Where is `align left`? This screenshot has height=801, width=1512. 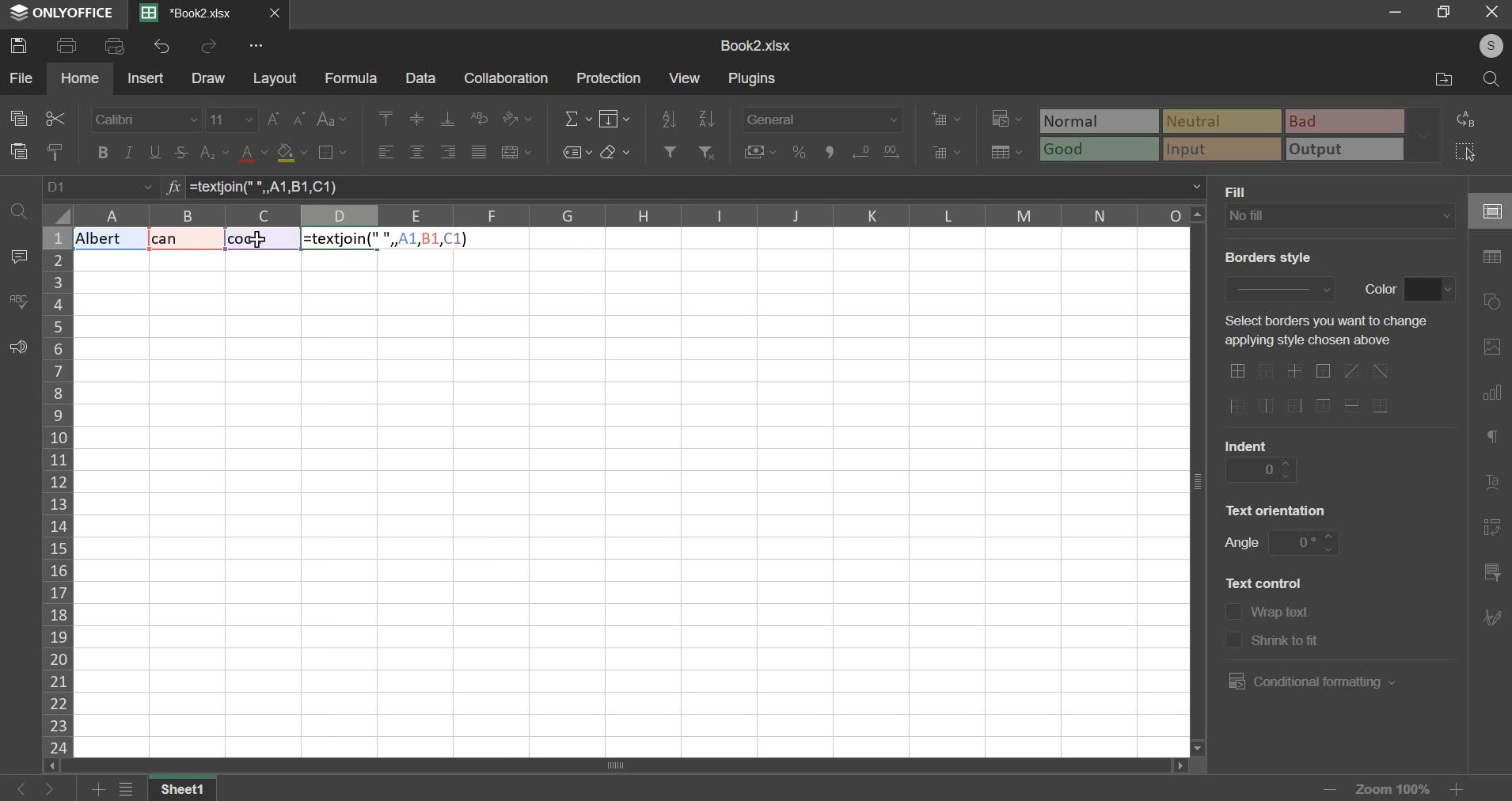 align left is located at coordinates (386, 154).